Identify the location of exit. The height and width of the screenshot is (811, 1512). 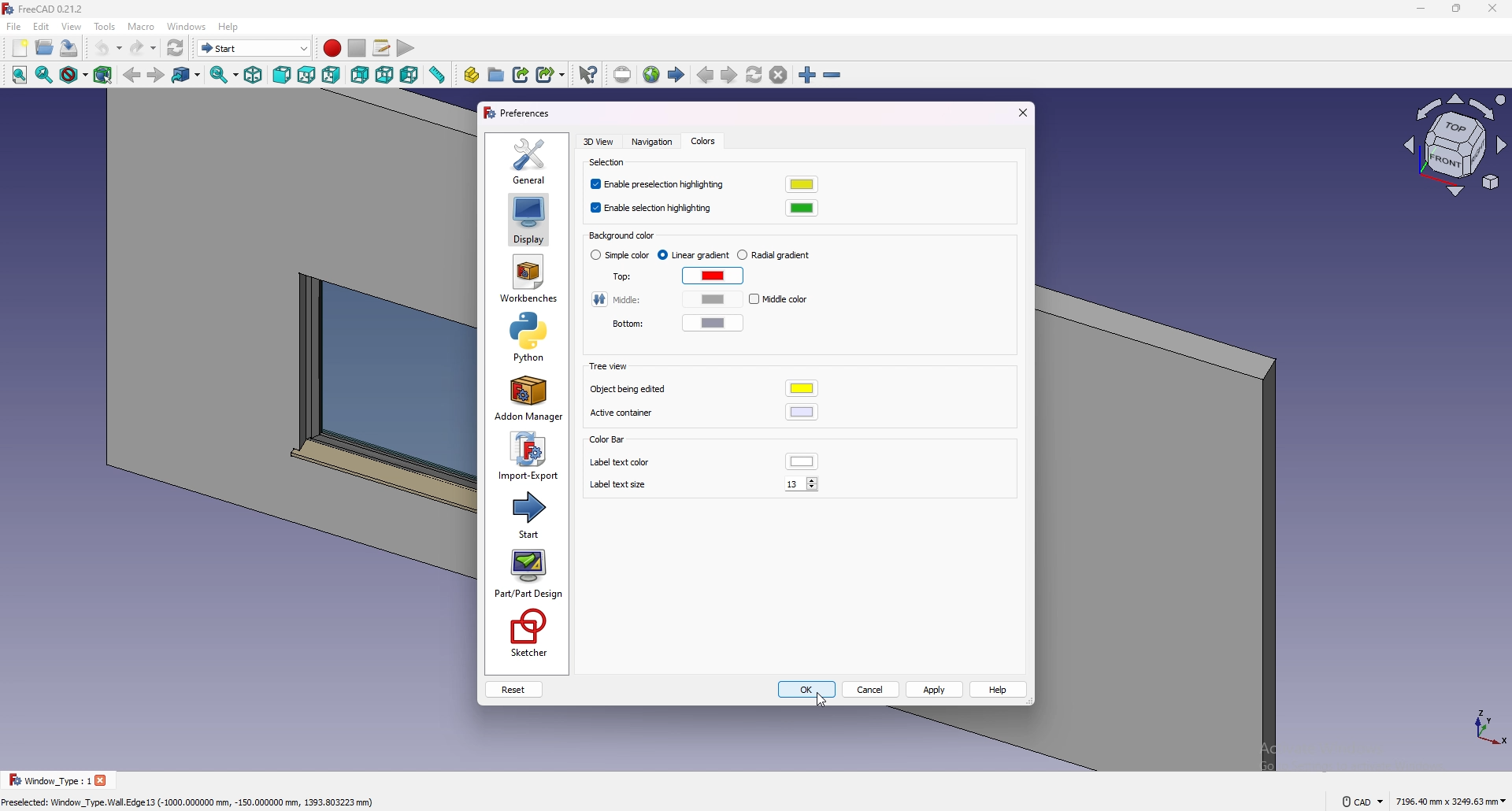
(1021, 113).